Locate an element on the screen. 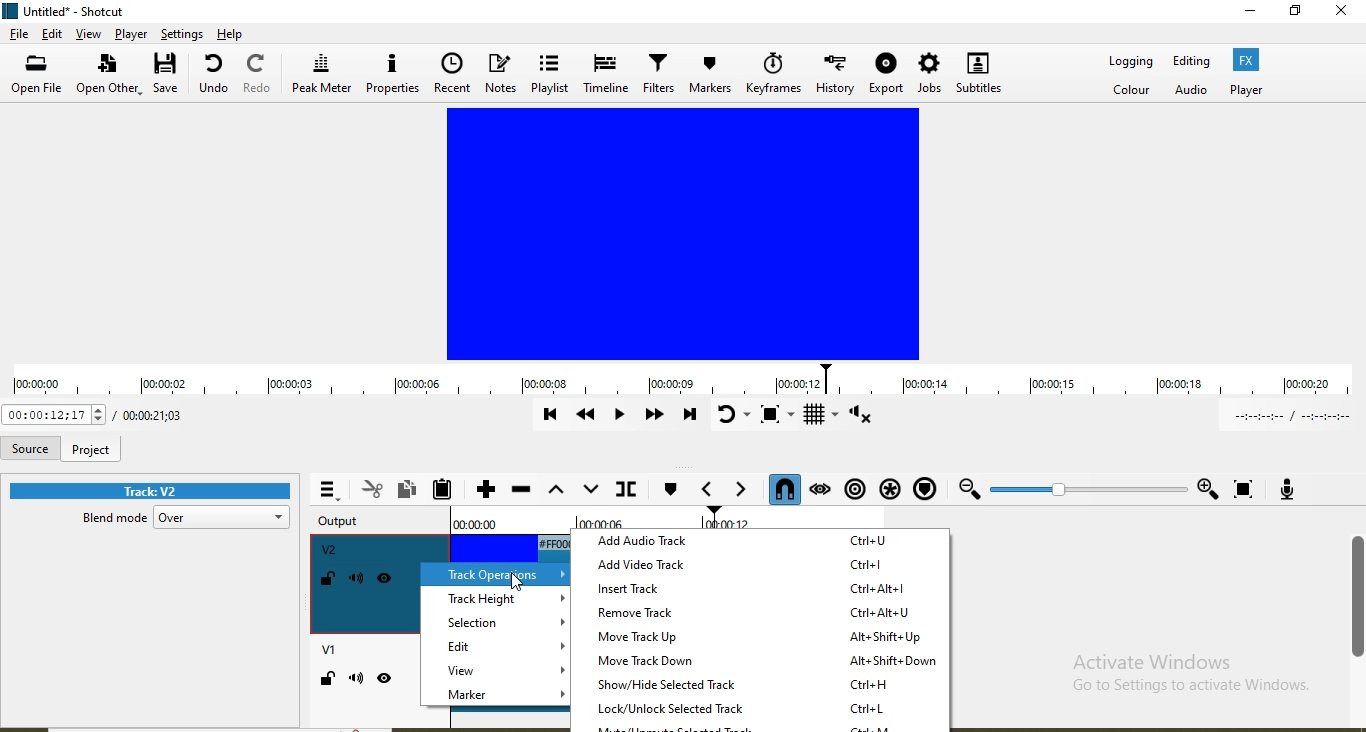 The image size is (1366, 732). Play quickly backwards is located at coordinates (582, 415).